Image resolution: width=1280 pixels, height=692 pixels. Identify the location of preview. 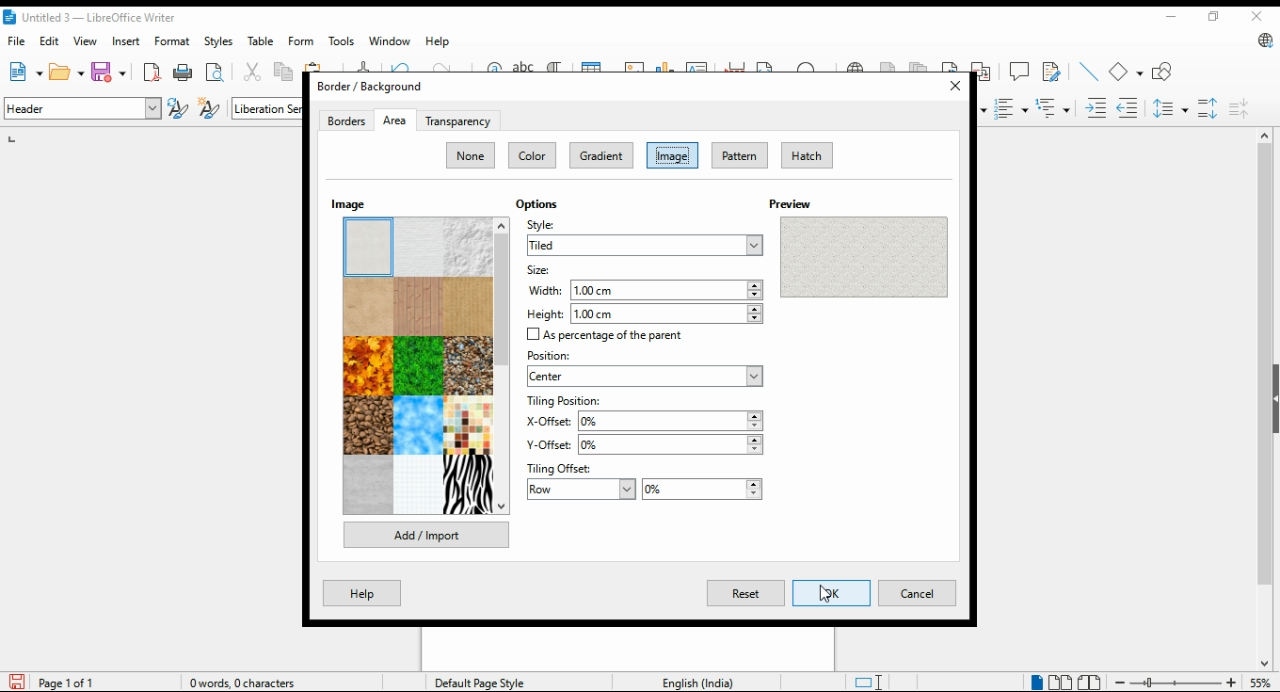
(863, 250).